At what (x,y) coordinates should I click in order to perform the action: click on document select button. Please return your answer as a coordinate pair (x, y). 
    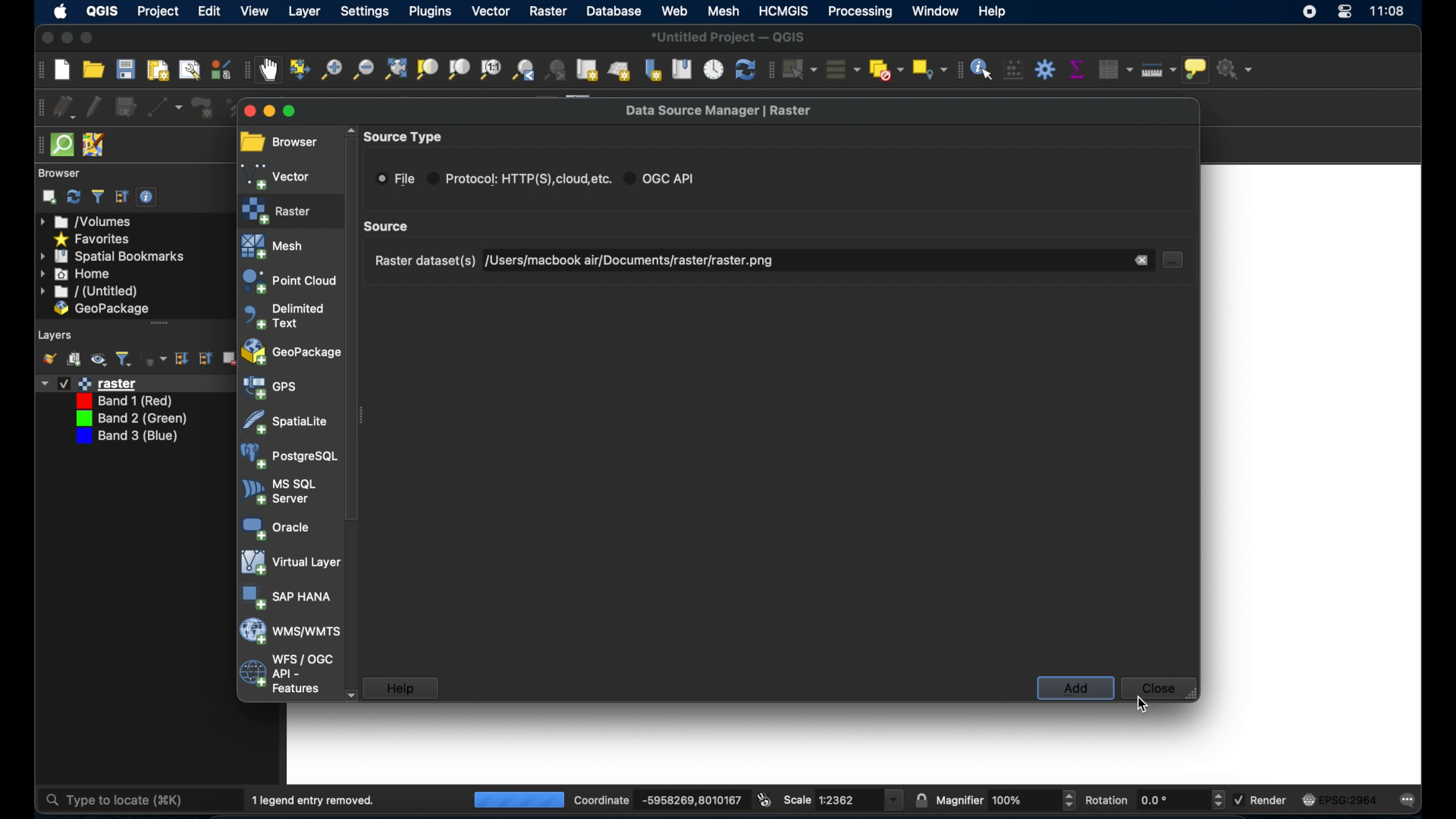
    Looking at the image, I should click on (1173, 261).